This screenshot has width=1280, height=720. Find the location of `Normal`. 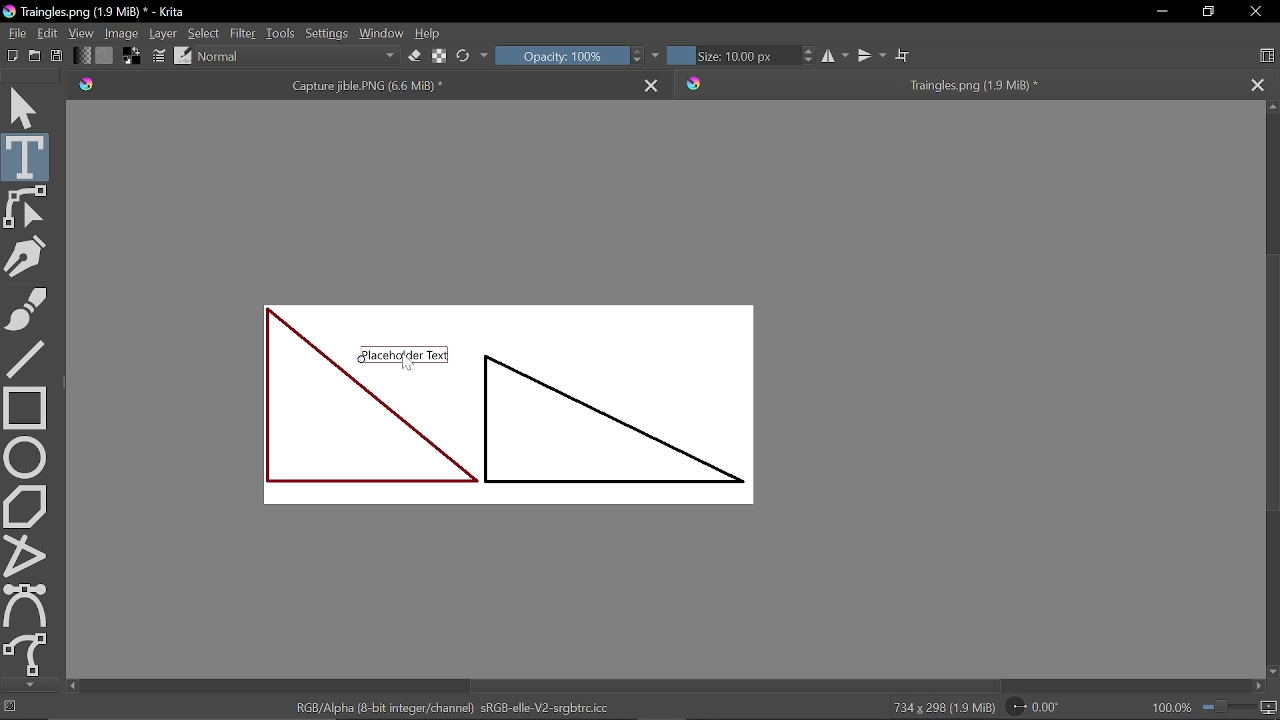

Normal is located at coordinates (300, 57).